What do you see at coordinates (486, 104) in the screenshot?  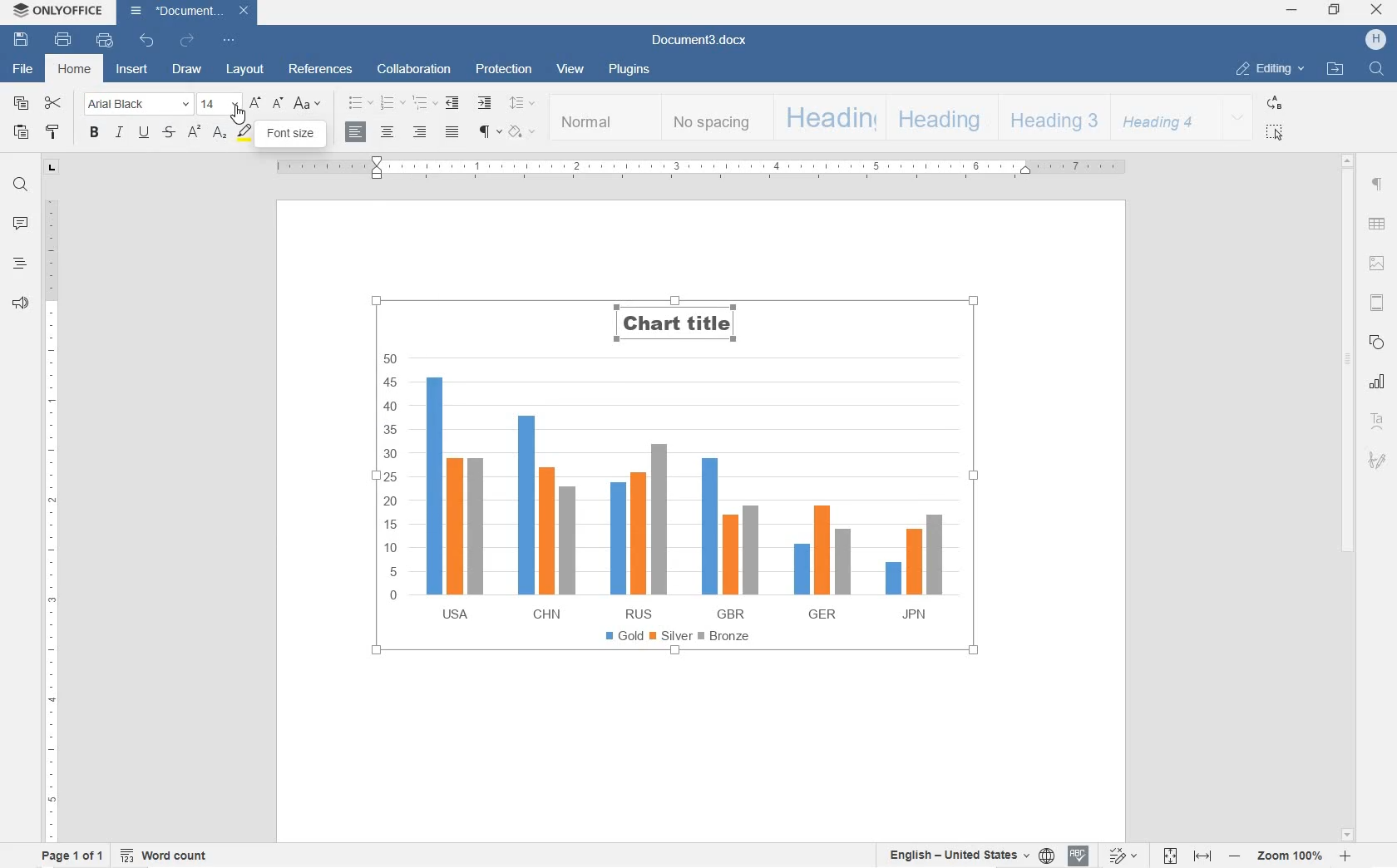 I see `INCREASE INDENT` at bounding box center [486, 104].